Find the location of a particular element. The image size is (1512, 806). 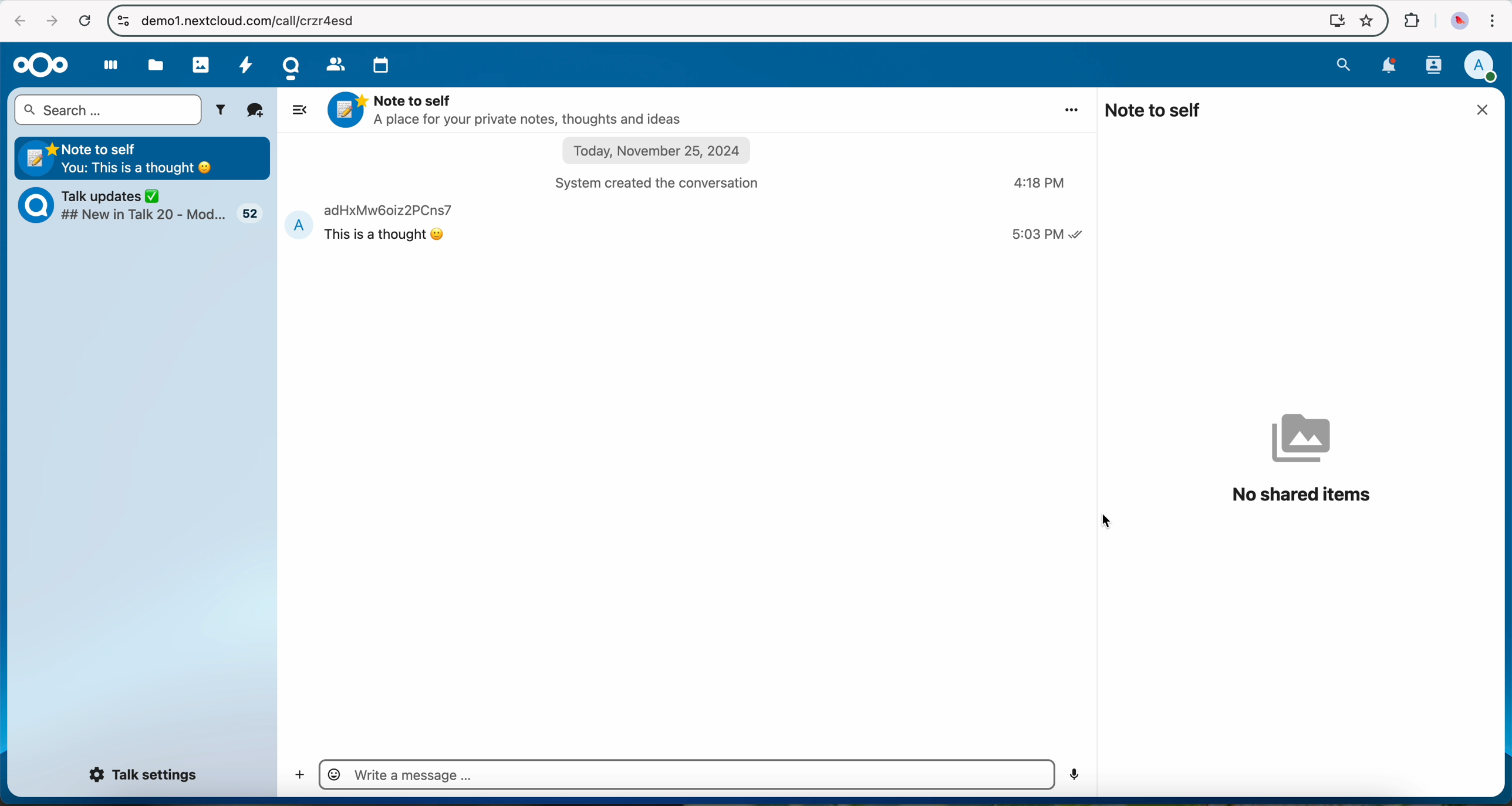

no shared items is located at coordinates (1302, 458).